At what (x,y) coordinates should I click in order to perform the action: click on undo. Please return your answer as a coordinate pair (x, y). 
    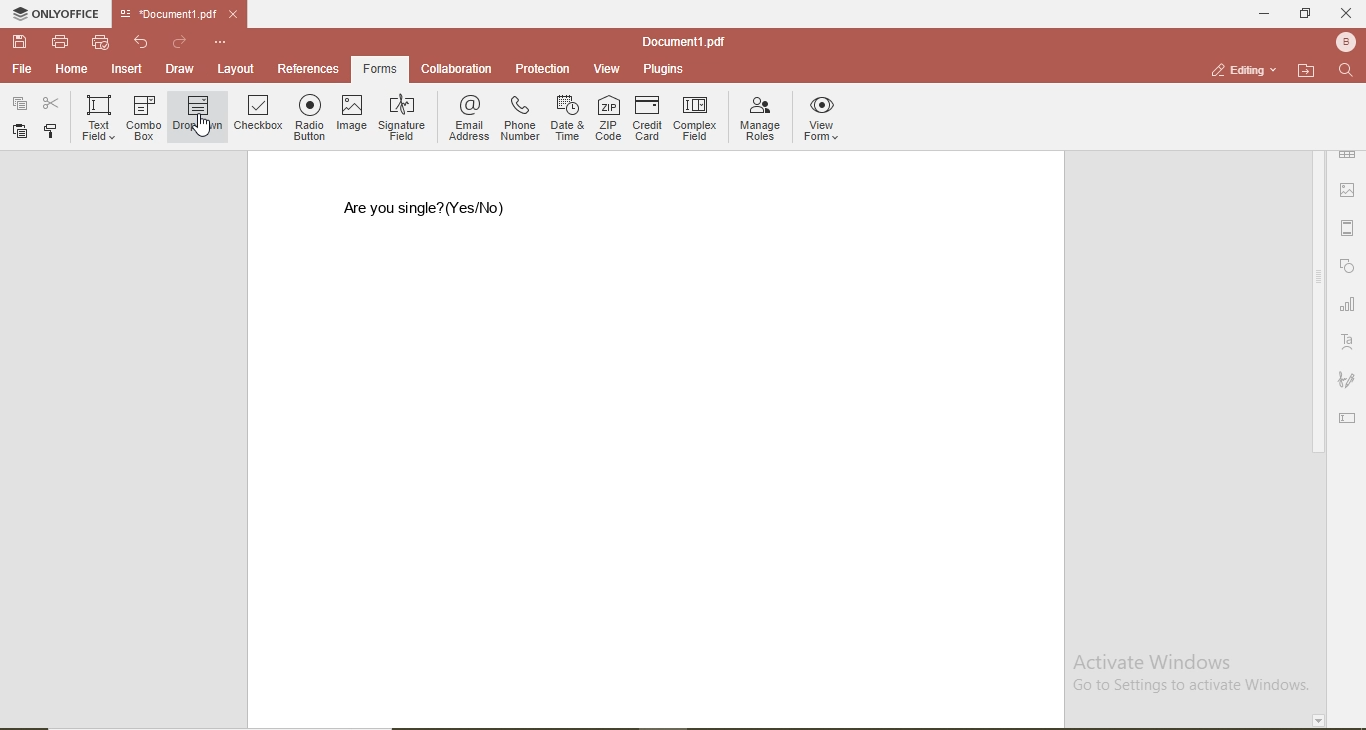
    Looking at the image, I should click on (142, 43).